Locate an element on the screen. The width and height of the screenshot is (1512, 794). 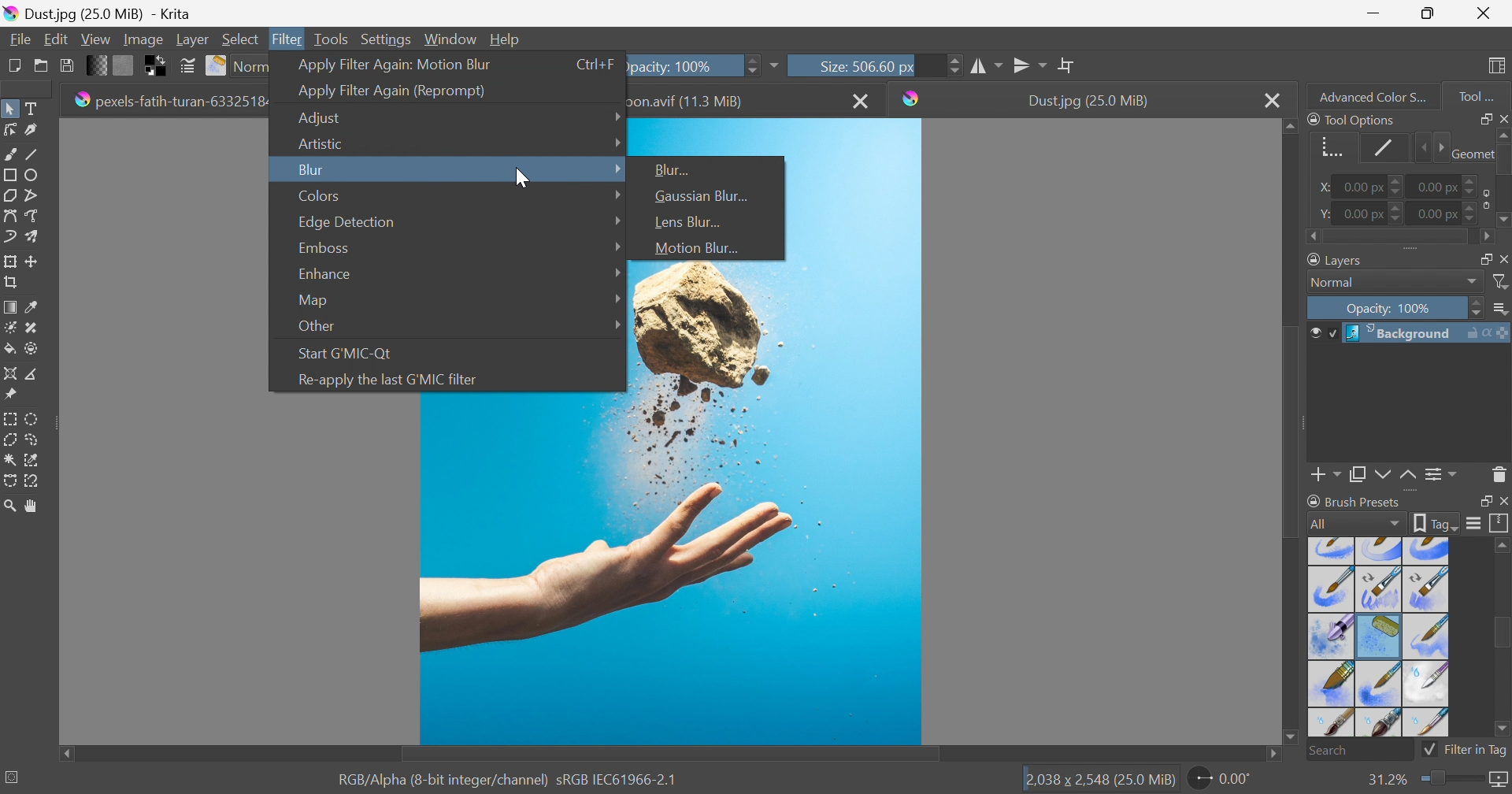
Create new document is located at coordinates (13, 65).